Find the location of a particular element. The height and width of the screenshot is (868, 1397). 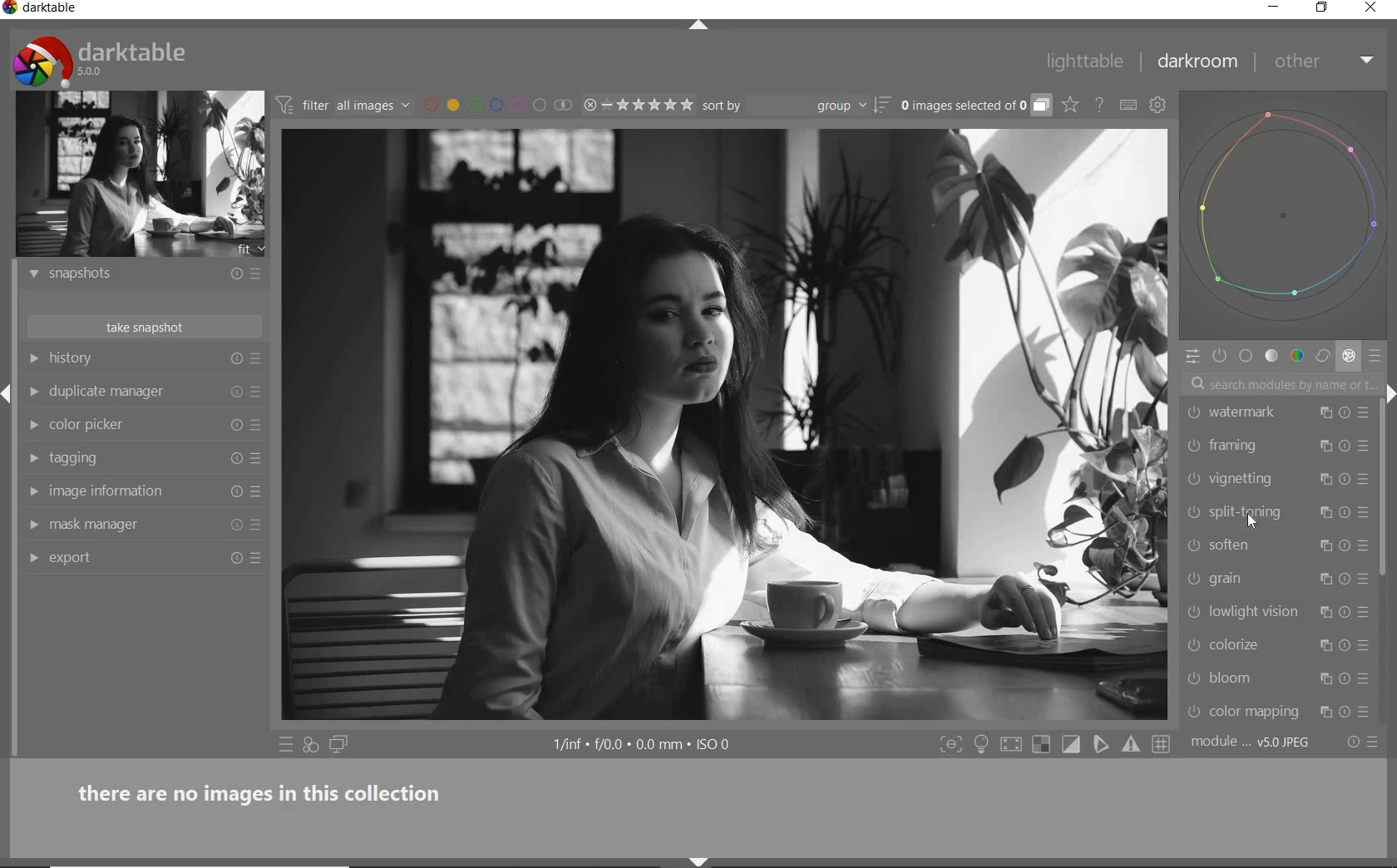

multiple instance actions is located at coordinates (1321, 648).